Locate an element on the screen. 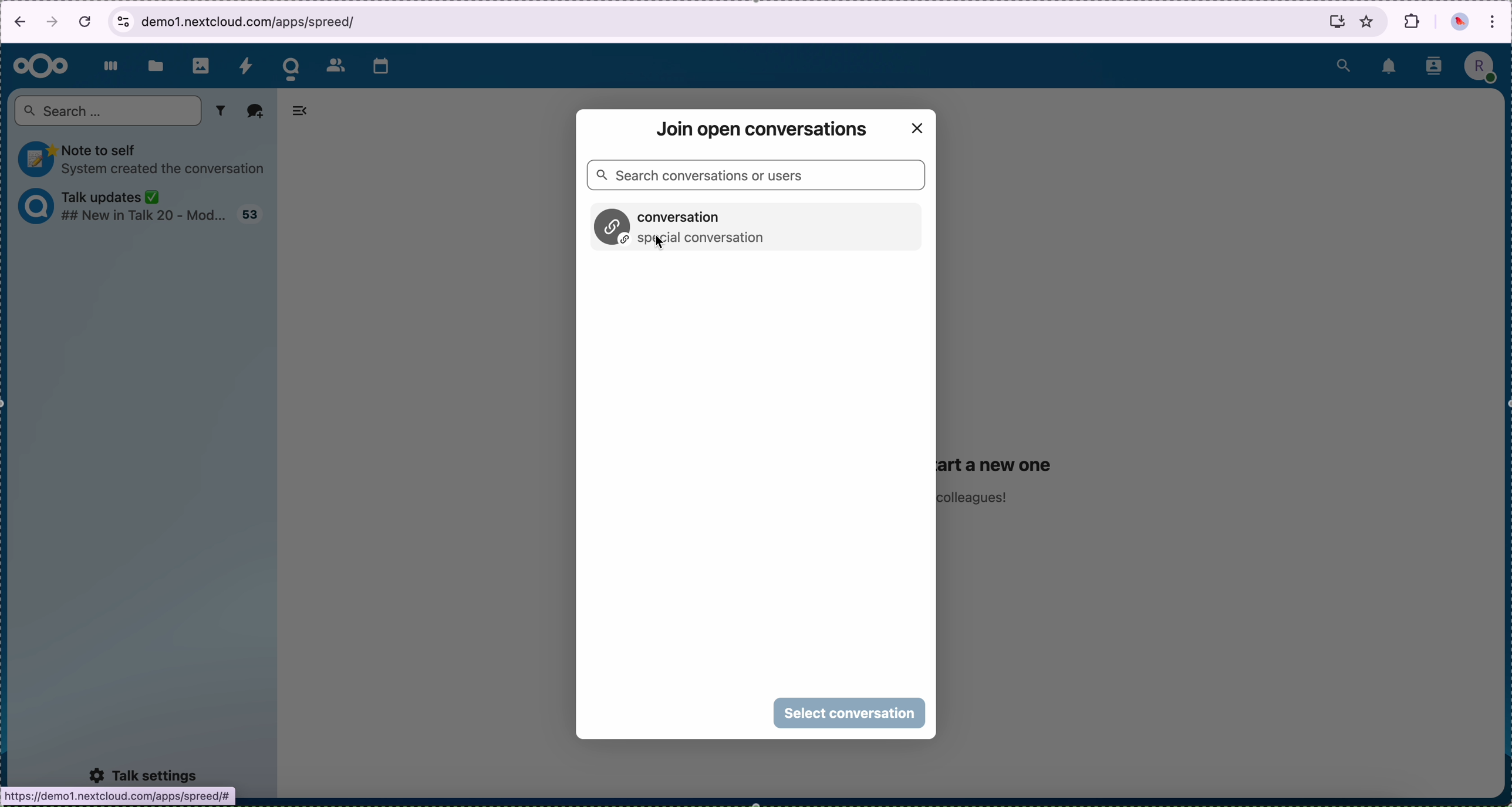  profile picture is located at coordinates (1459, 22).